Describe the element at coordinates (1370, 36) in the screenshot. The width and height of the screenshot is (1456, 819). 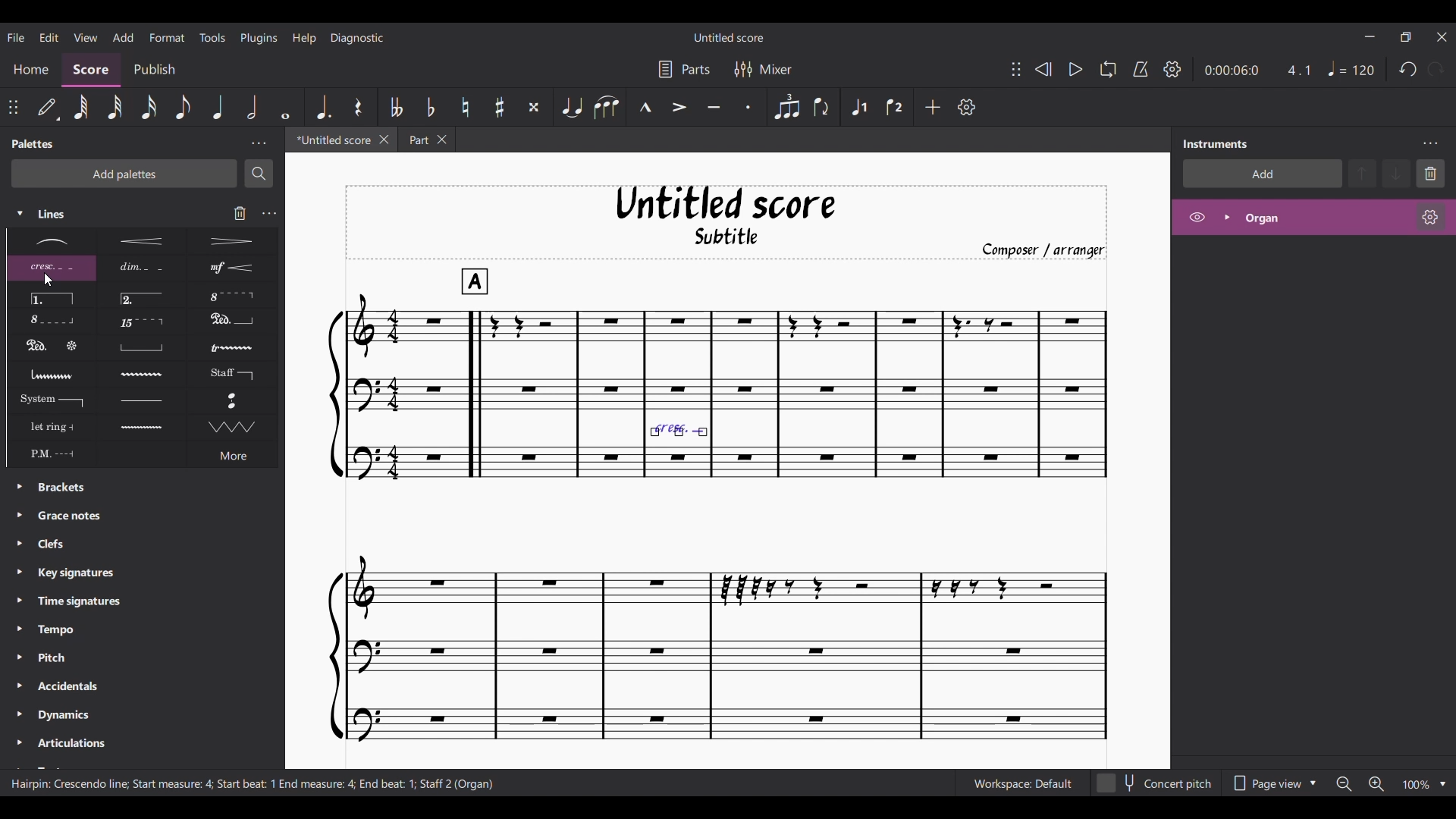
I see `Minimize` at that location.